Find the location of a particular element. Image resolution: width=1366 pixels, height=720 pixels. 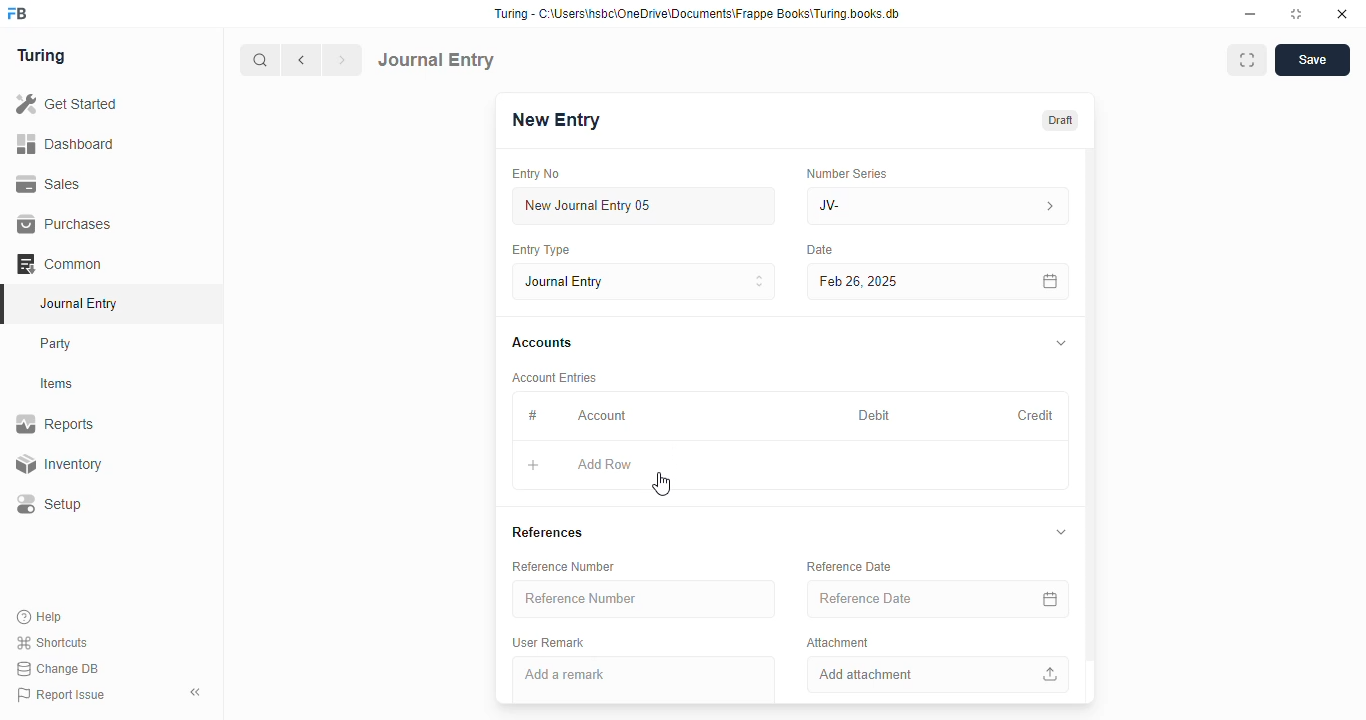

debit is located at coordinates (875, 415).